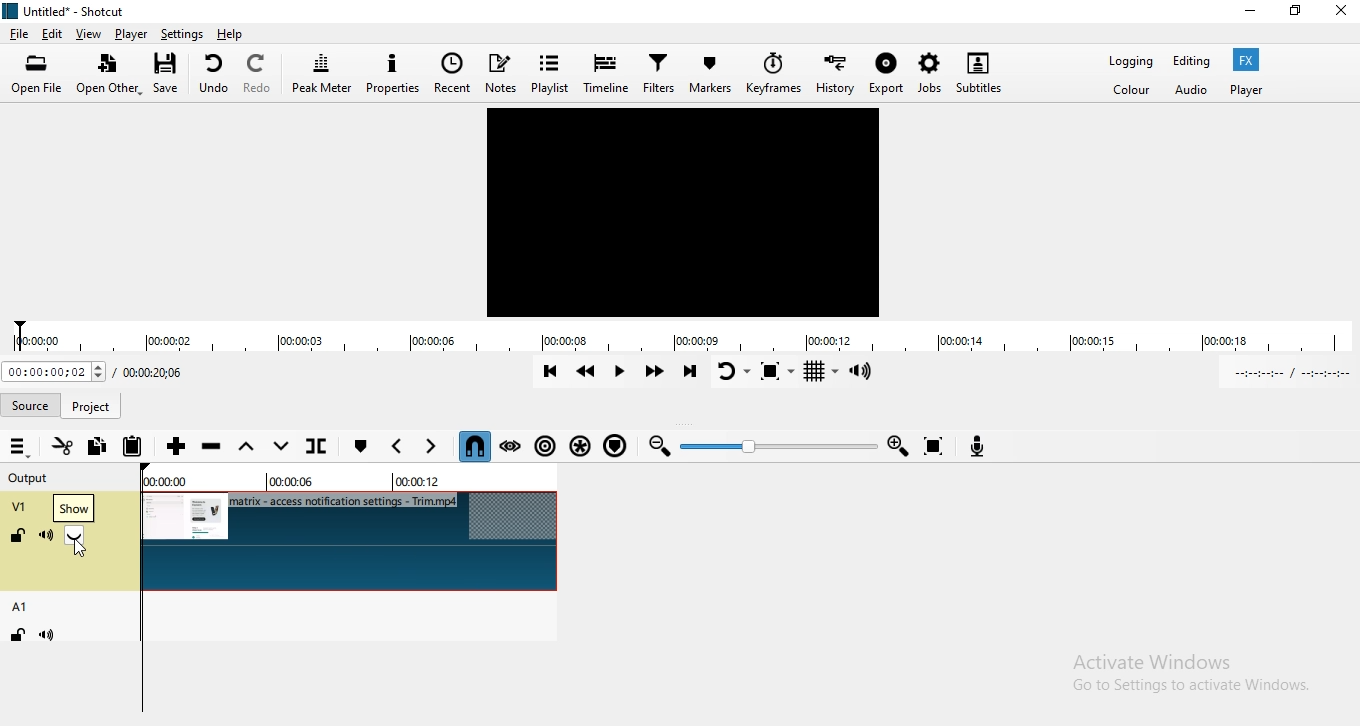 This screenshot has height=726, width=1360. I want to click on Time markers, so click(351, 483).